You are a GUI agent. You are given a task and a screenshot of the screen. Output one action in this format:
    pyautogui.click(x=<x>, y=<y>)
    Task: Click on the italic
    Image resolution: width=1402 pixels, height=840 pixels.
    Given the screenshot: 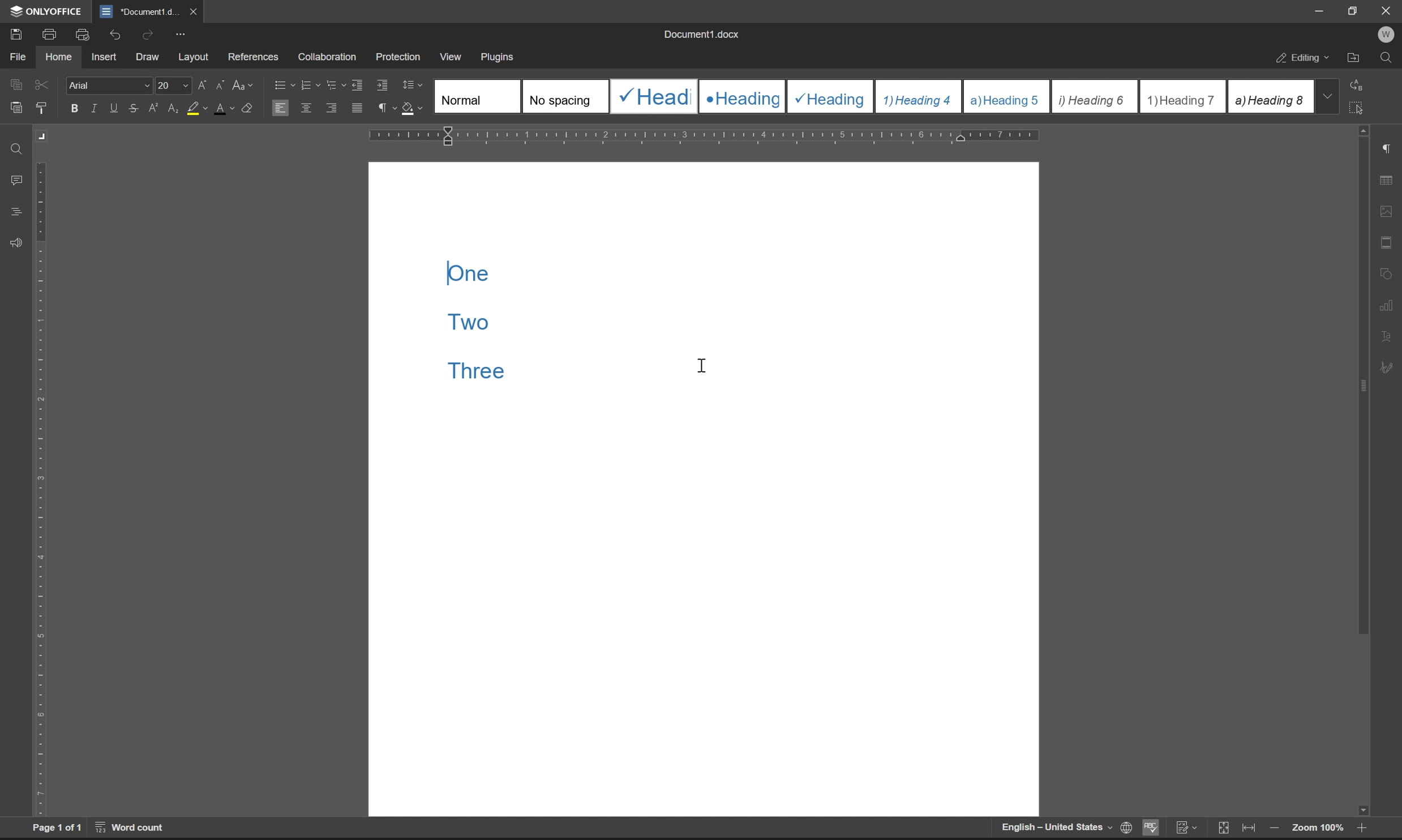 What is the action you would take?
    pyautogui.click(x=96, y=108)
    